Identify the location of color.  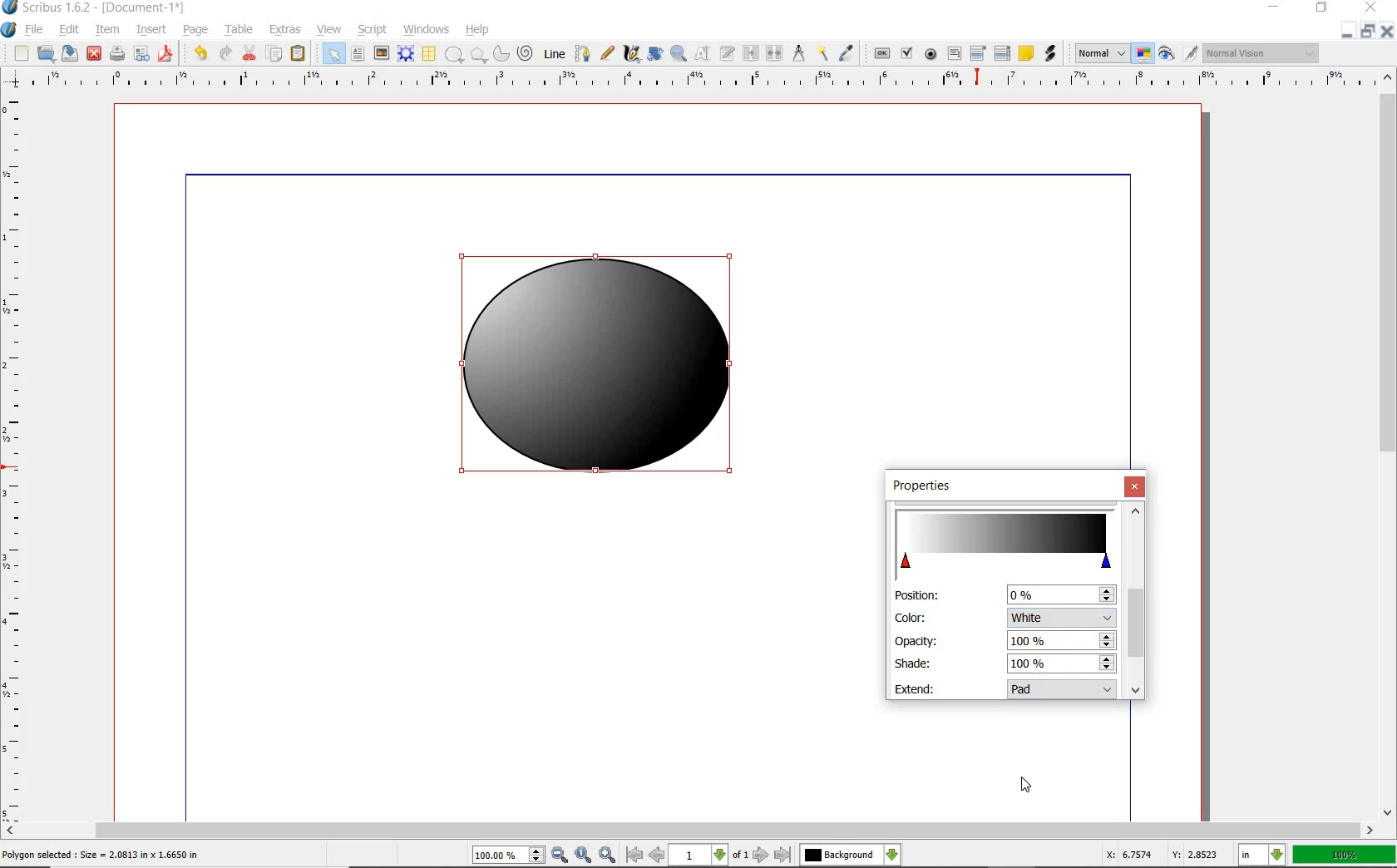
(1062, 615).